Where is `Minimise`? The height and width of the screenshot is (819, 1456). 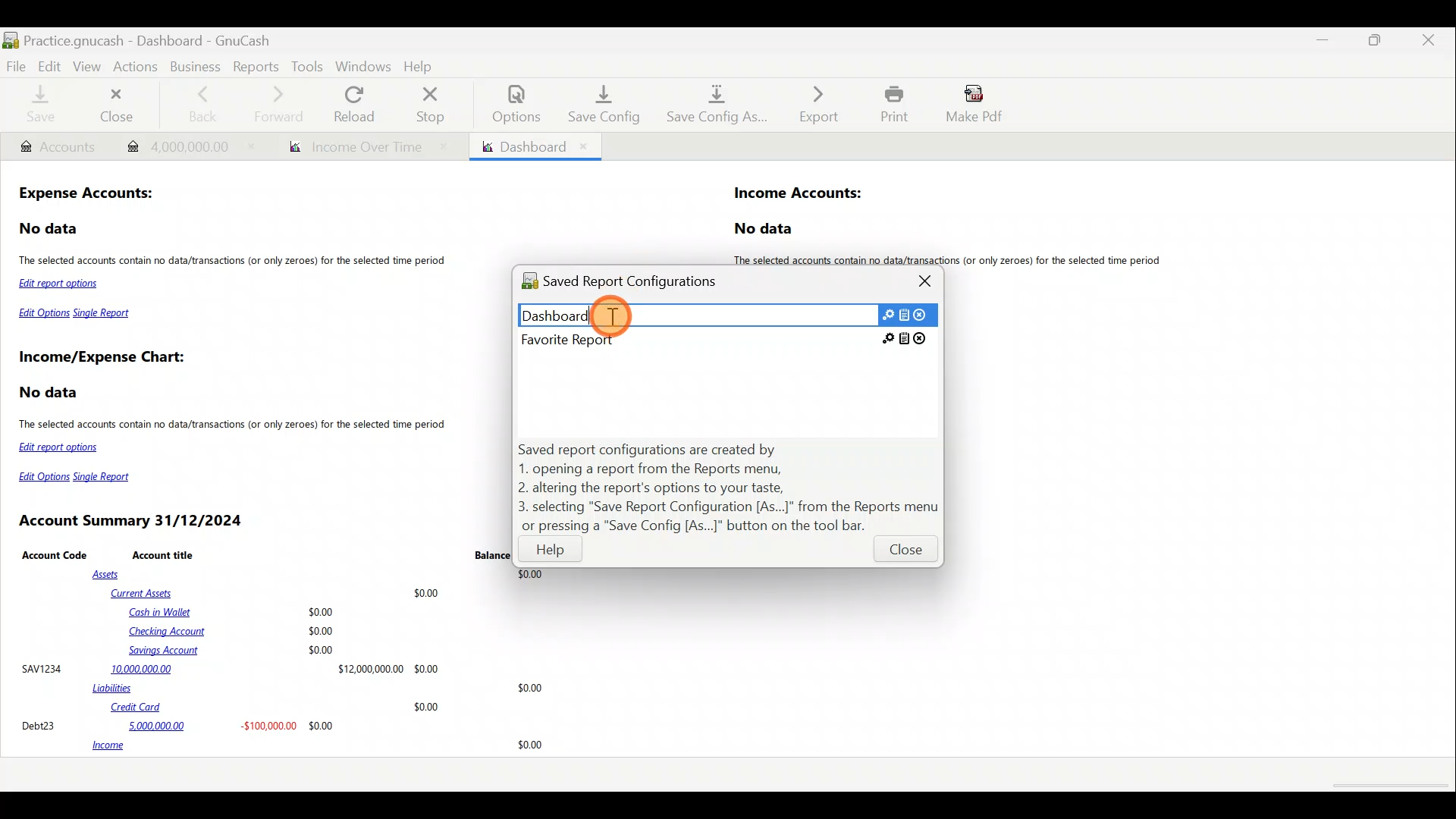 Minimise is located at coordinates (1326, 40).